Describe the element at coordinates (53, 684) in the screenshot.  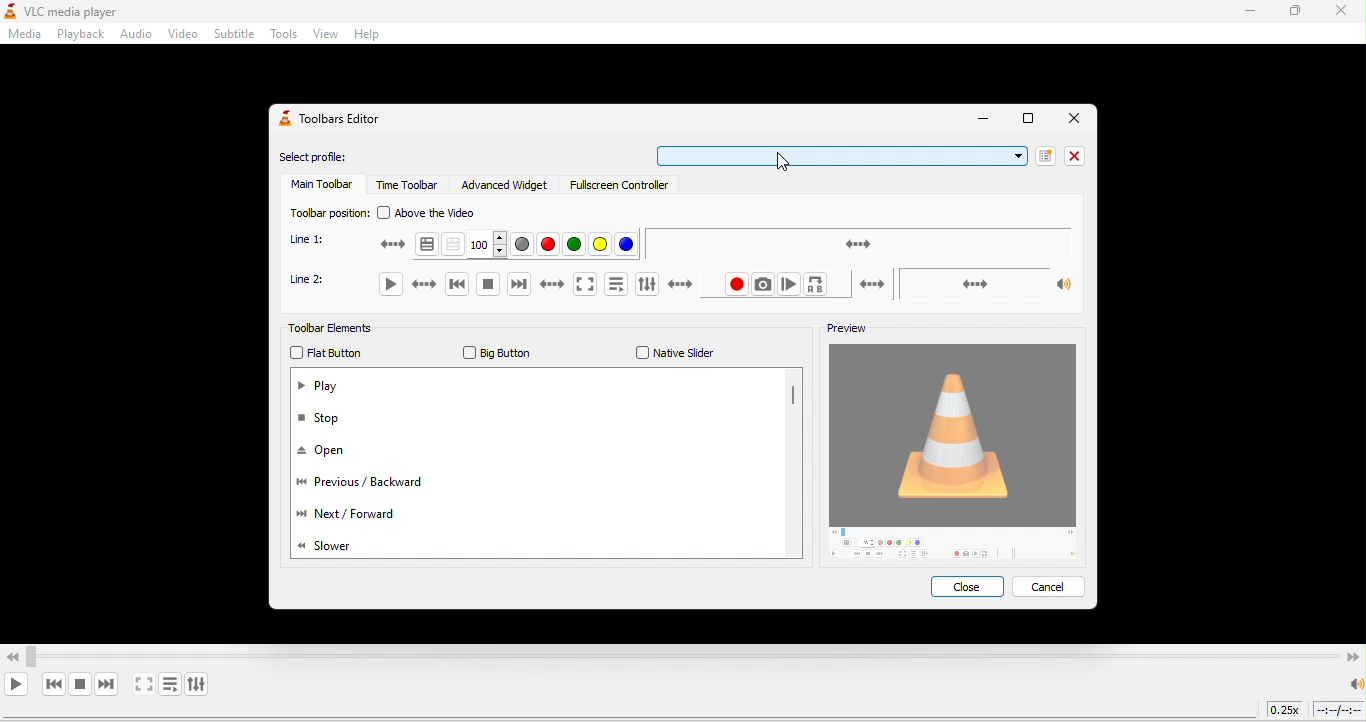
I see `previous media` at that location.